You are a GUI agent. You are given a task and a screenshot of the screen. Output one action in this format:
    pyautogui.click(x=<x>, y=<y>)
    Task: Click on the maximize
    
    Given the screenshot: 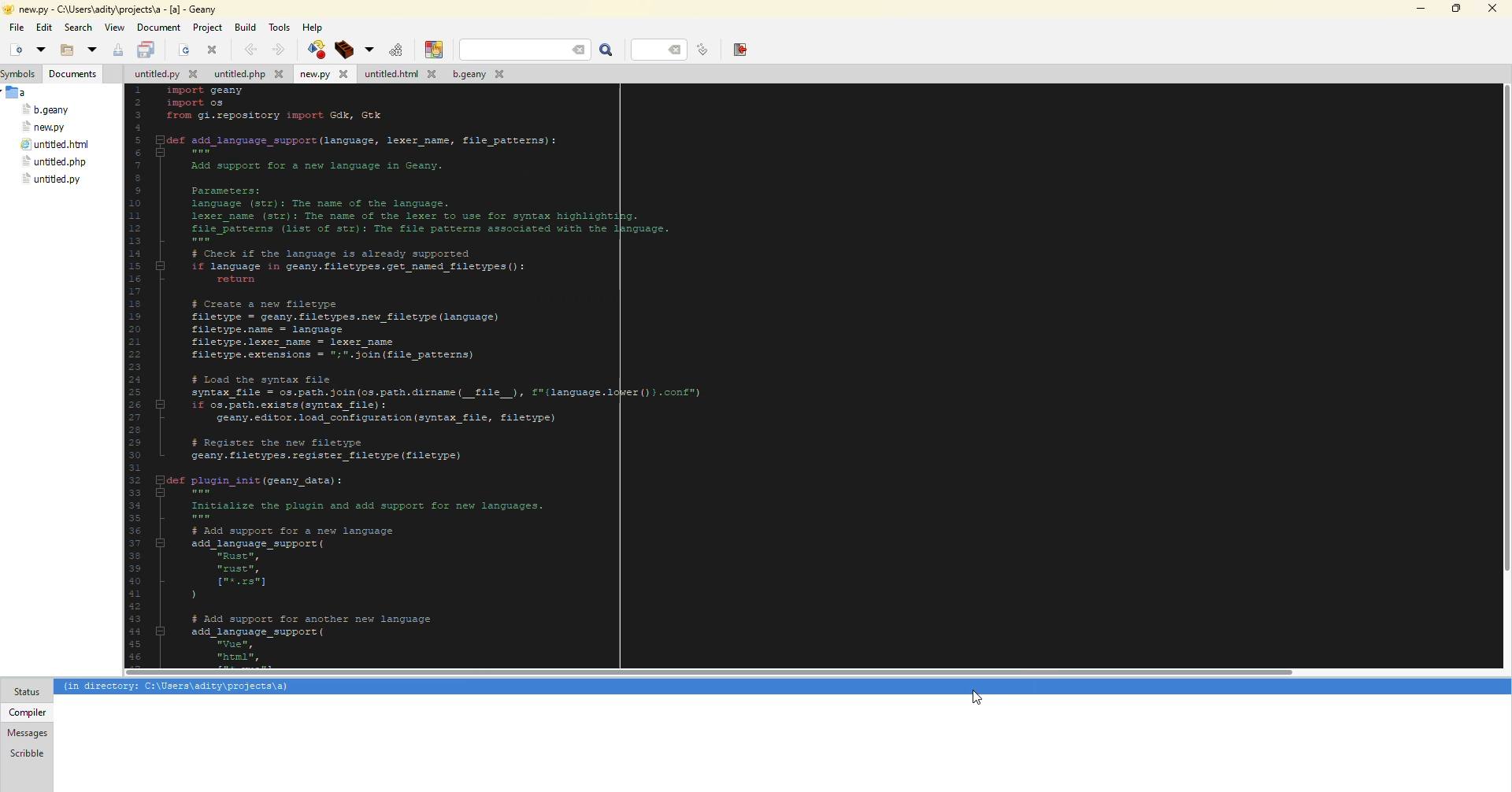 What is the action you would take?
    pyautogui.click(x=1454, y=9)
    